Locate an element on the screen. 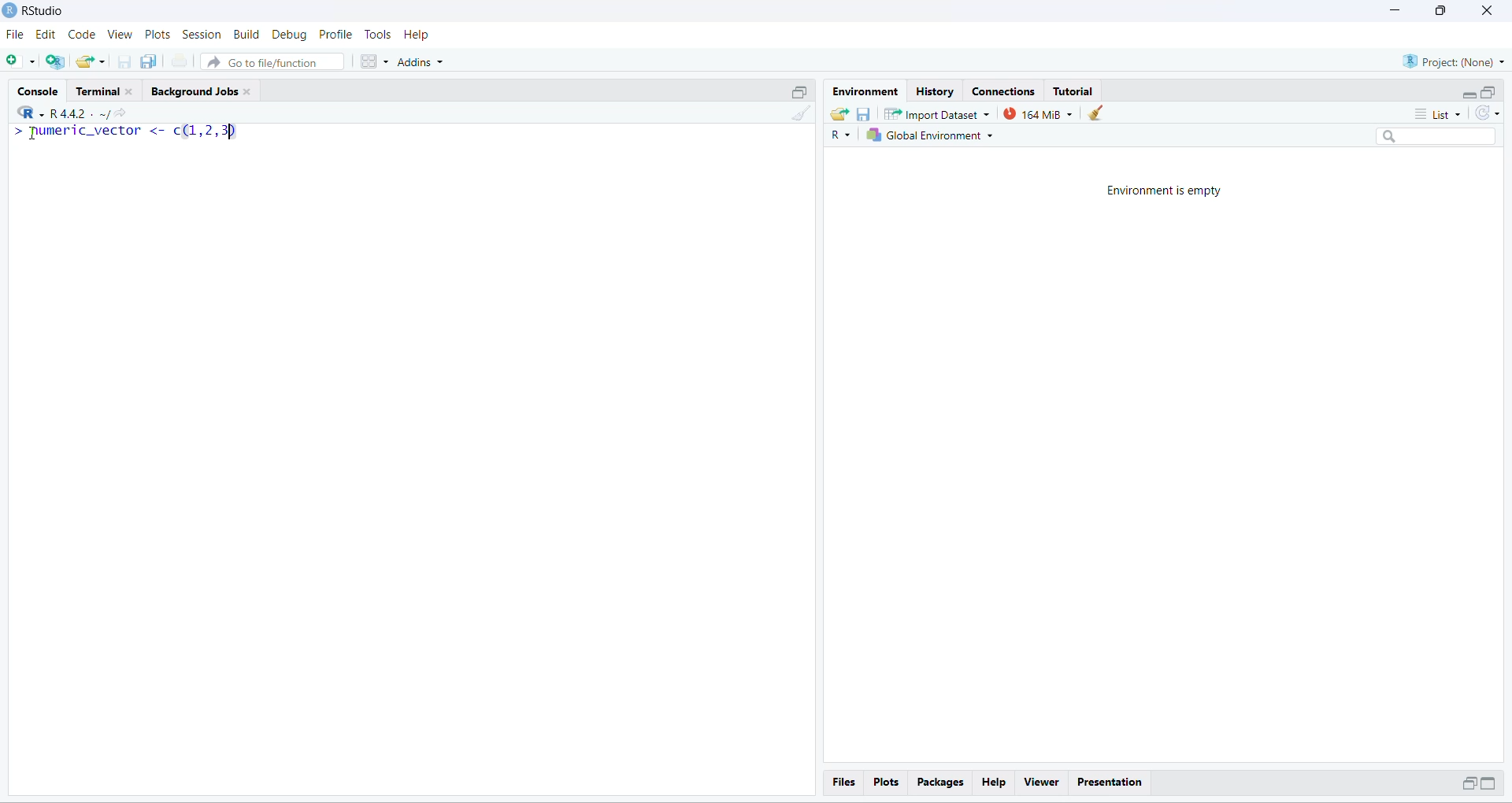 The width and height of the screenshot is (1512, 803). load workspace is located at coordinates (838, 113).